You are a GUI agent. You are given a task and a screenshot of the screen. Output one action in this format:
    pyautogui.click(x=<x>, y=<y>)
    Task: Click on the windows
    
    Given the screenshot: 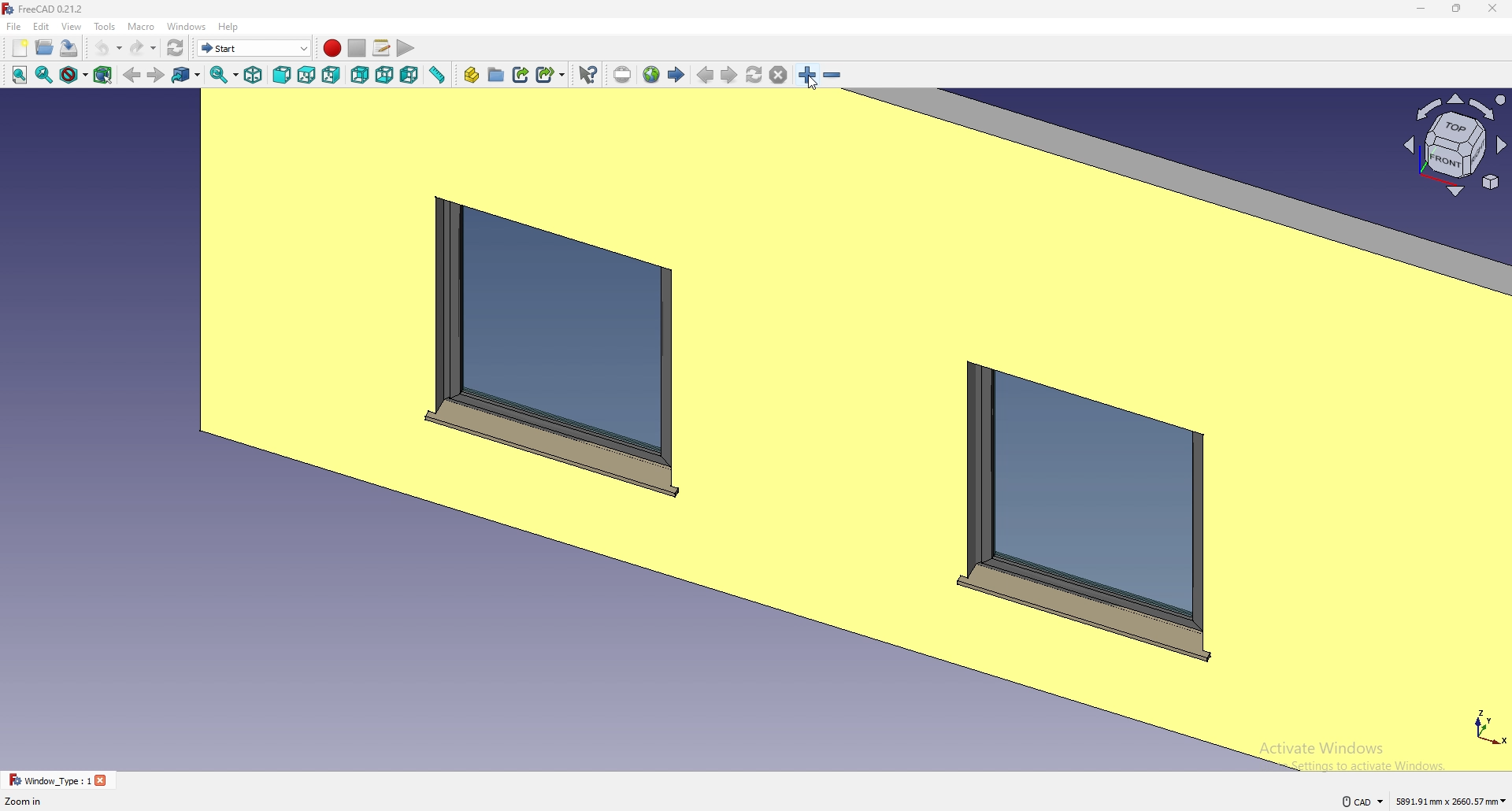 What is the action you would take?
    pyautogui.click(x=188, y=26)
    